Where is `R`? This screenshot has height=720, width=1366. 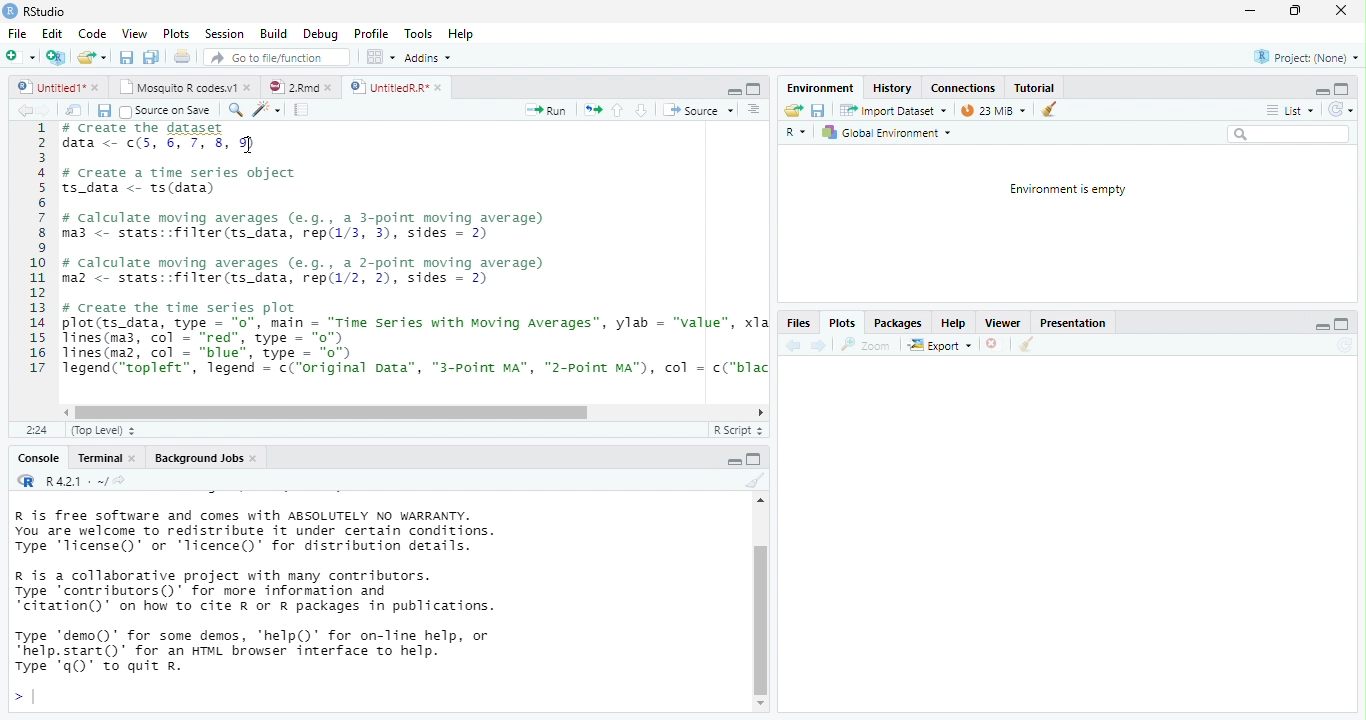 R is located at coordinates (798, 134).